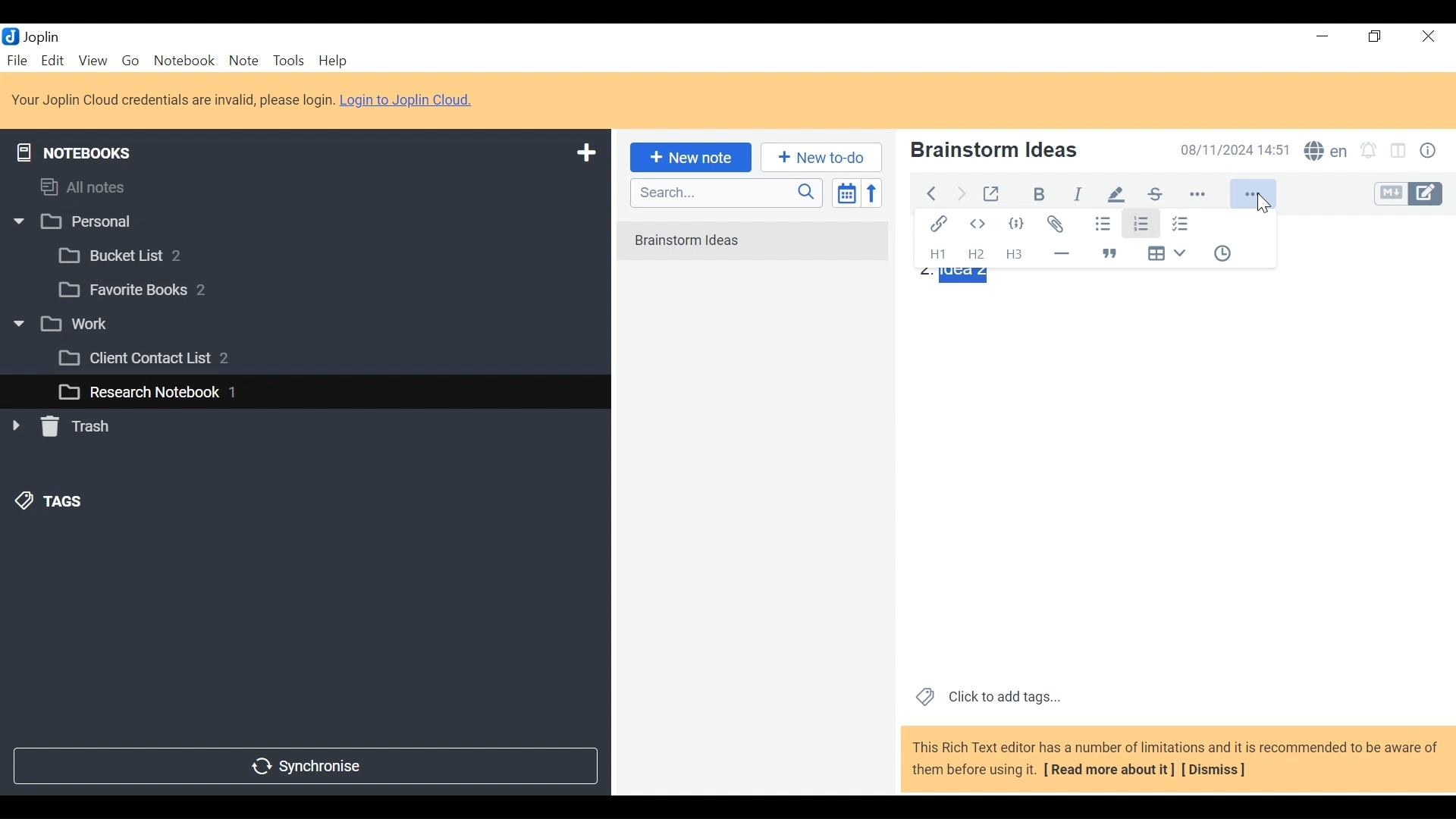 Image resolution: width=1456 pixels, height=819 pixels. I want to click on Minimize, so click(1321, 36).